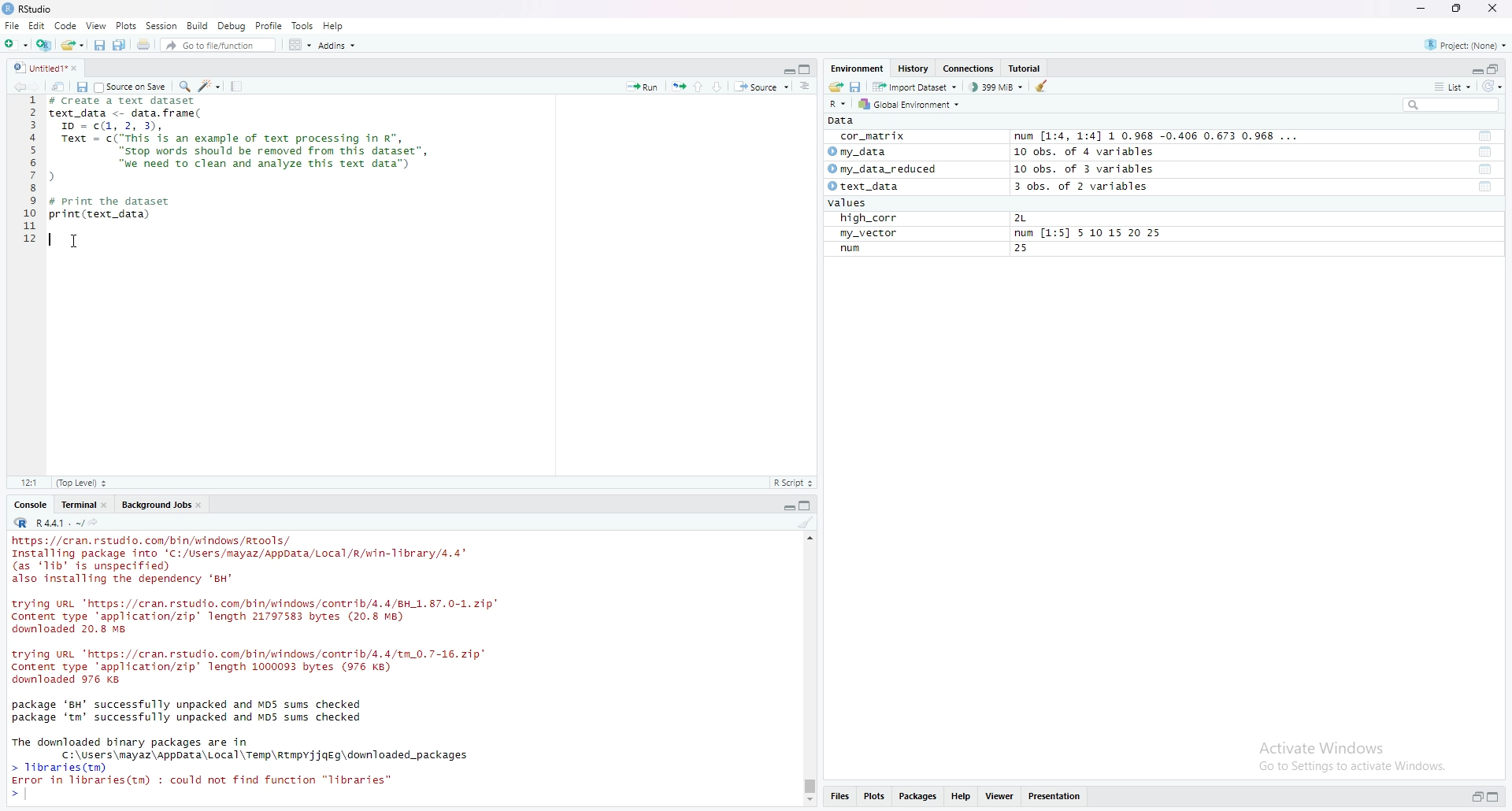 Image resolution: width=1512 pixels, height=811 pixels. I want to click on show in new window, so click(59, 87).